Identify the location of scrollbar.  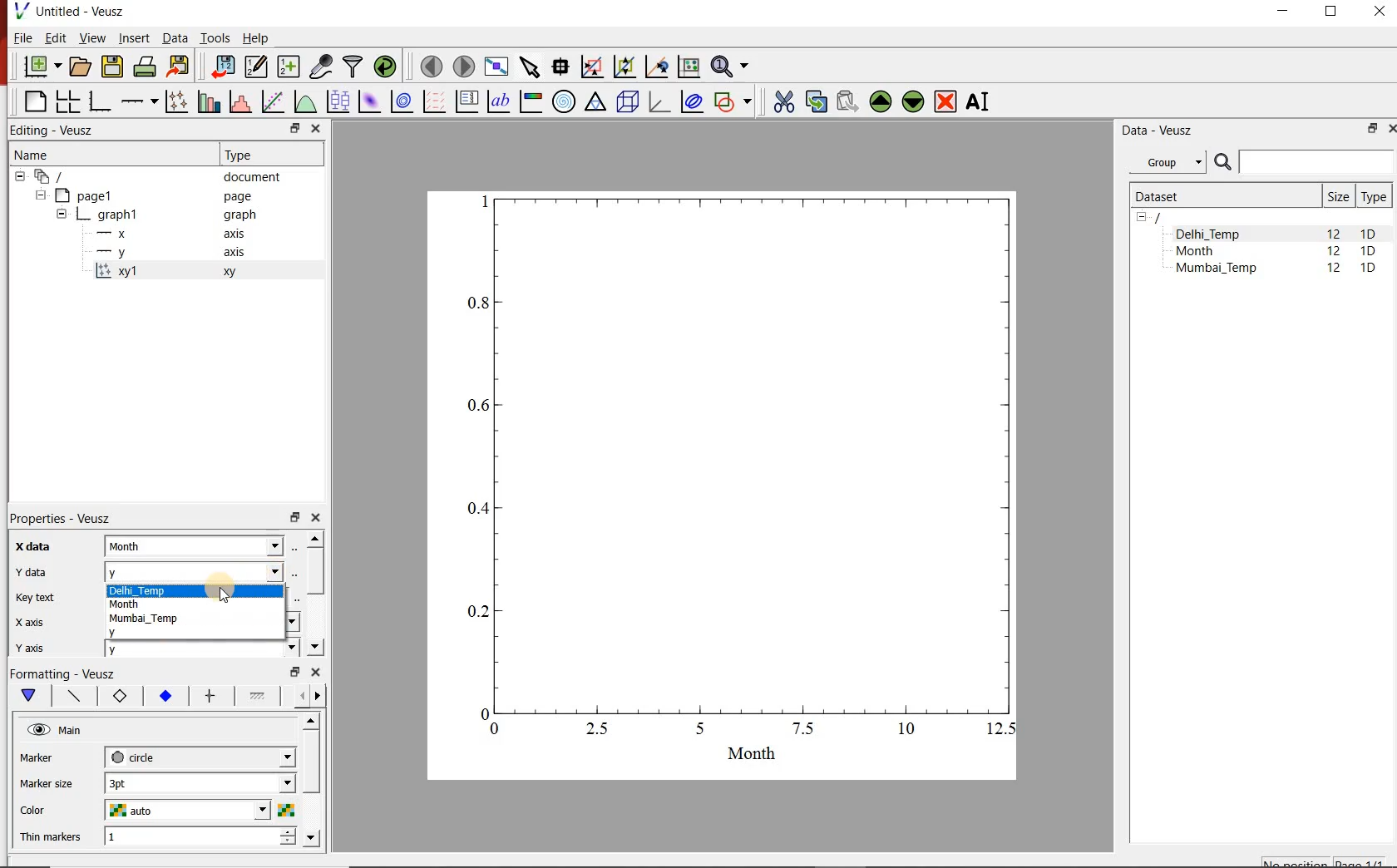
(314, 594).